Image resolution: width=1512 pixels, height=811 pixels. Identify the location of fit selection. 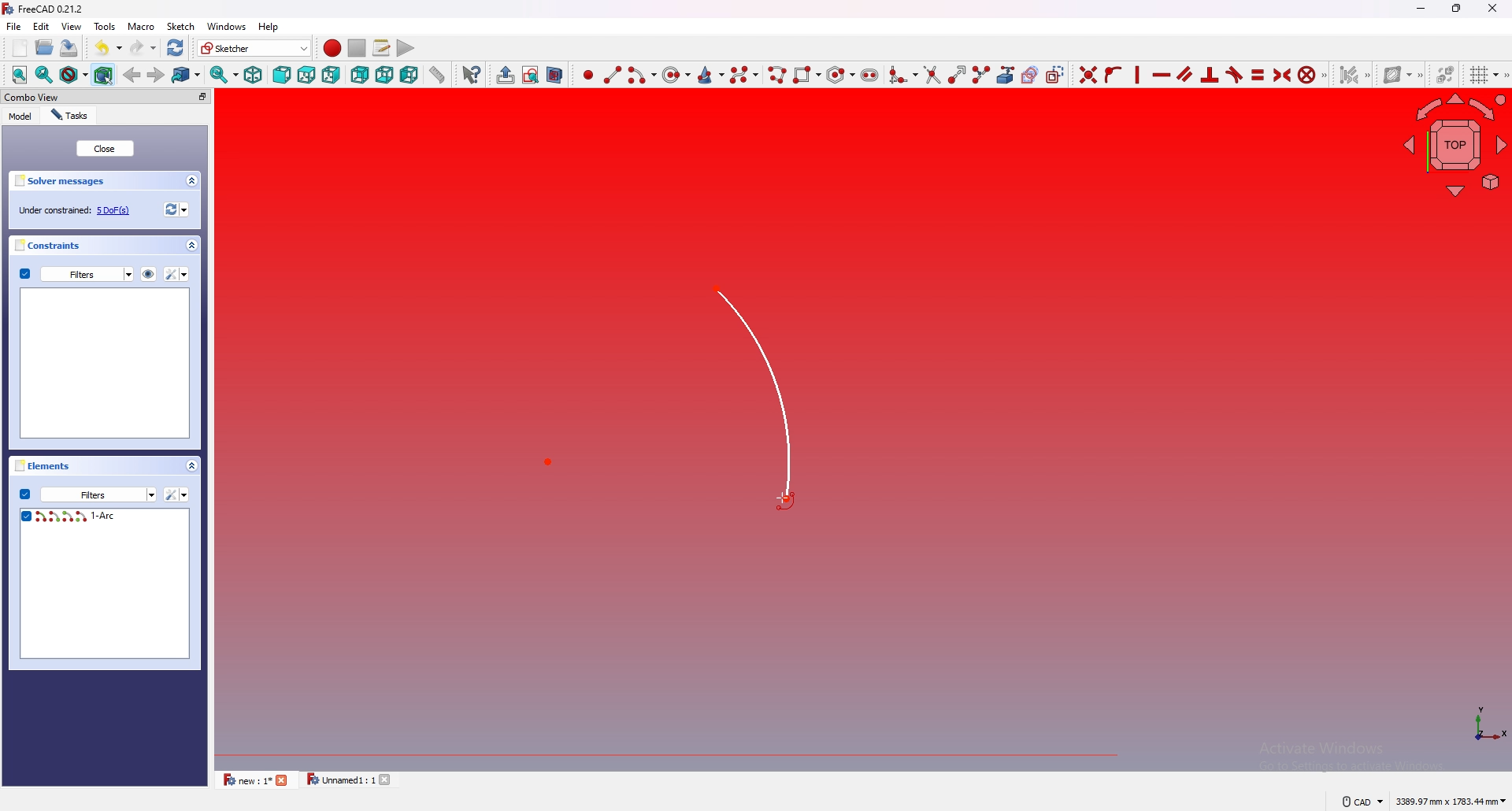
(44, 74).